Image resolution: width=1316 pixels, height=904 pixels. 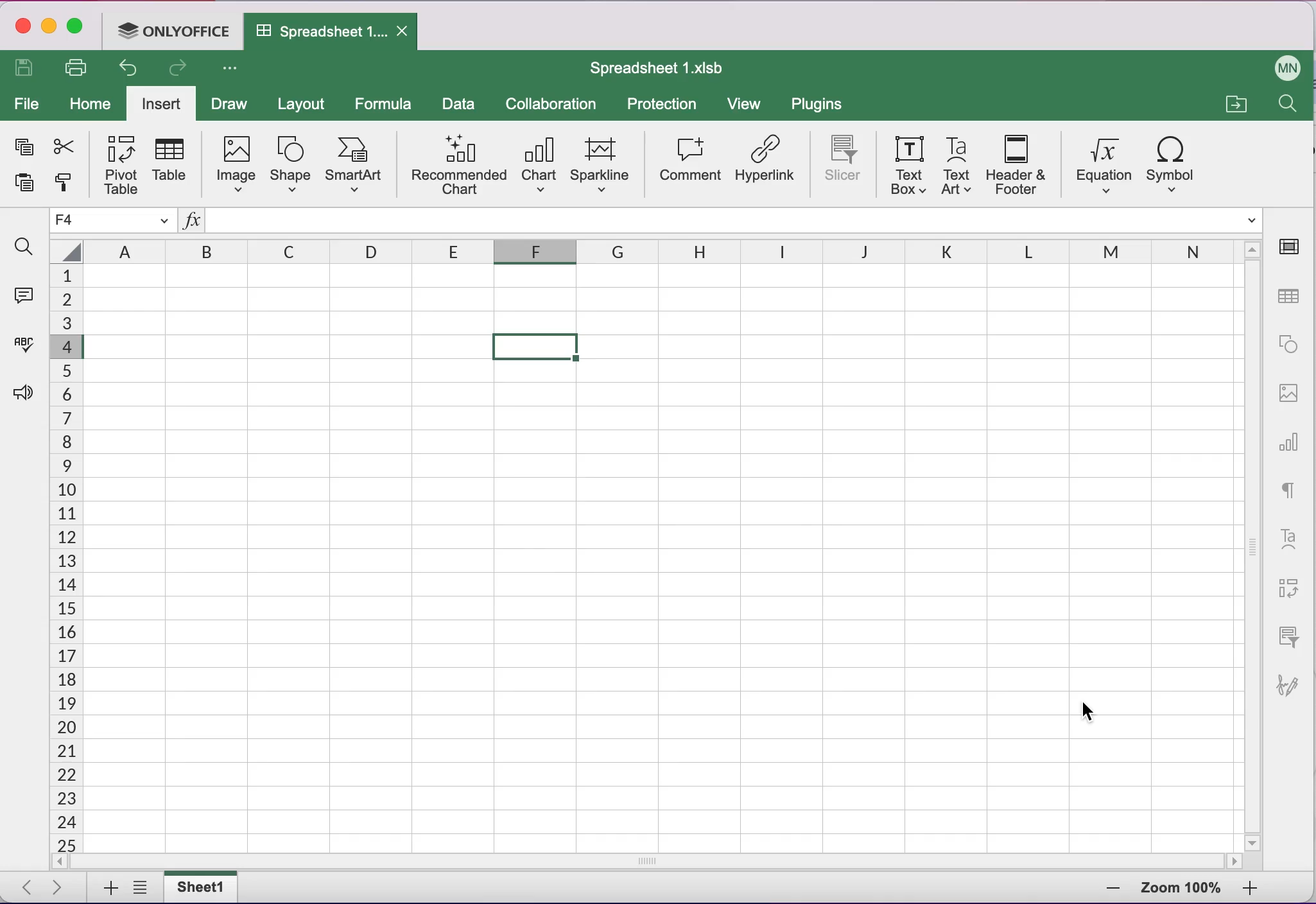 What do you see at coordinates (65, 184) in the screenshot?
I see `copy style` at bounding box center [65, 184].